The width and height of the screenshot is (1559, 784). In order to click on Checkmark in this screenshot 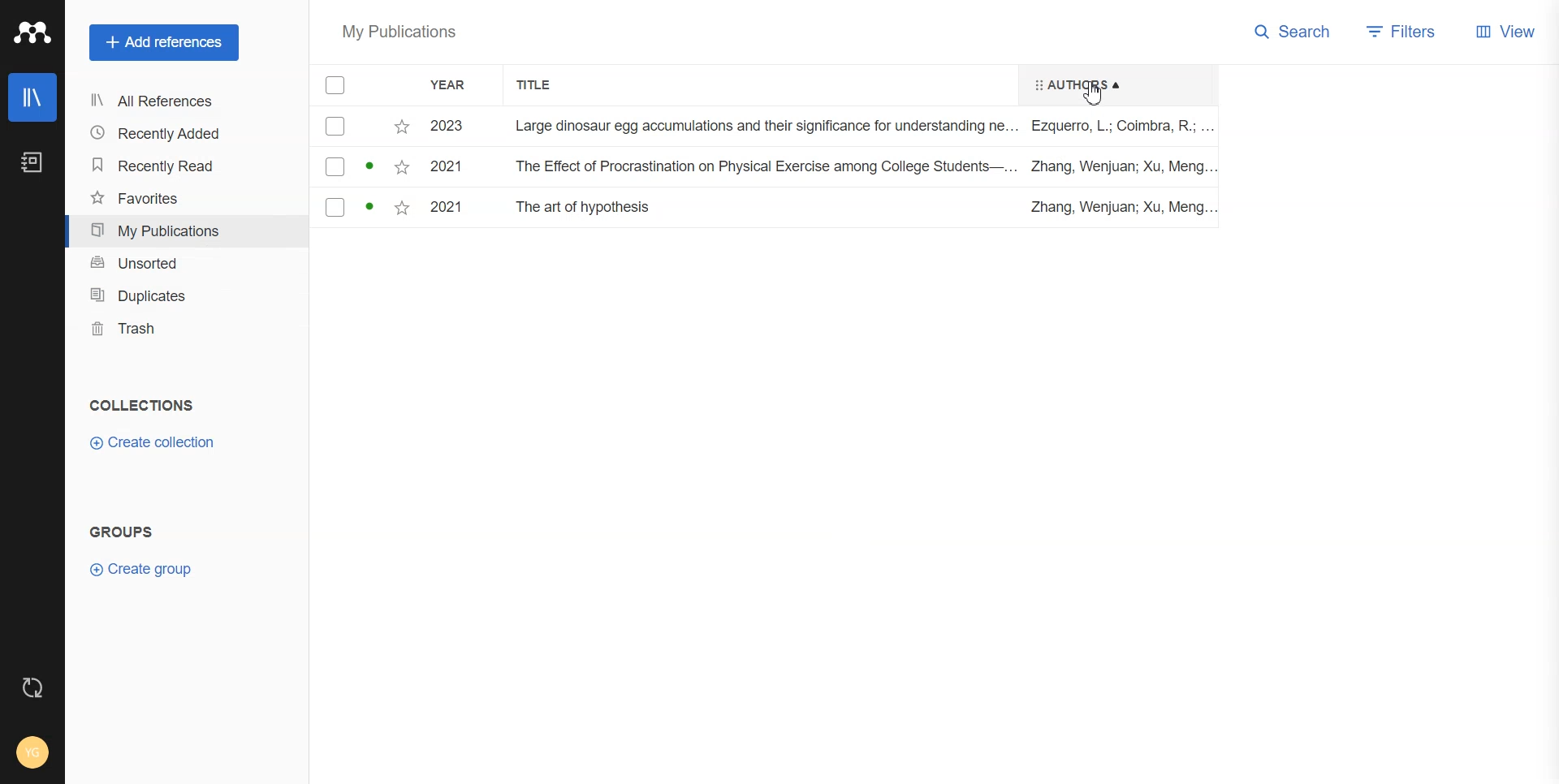, I will do `click(334, 169)`.